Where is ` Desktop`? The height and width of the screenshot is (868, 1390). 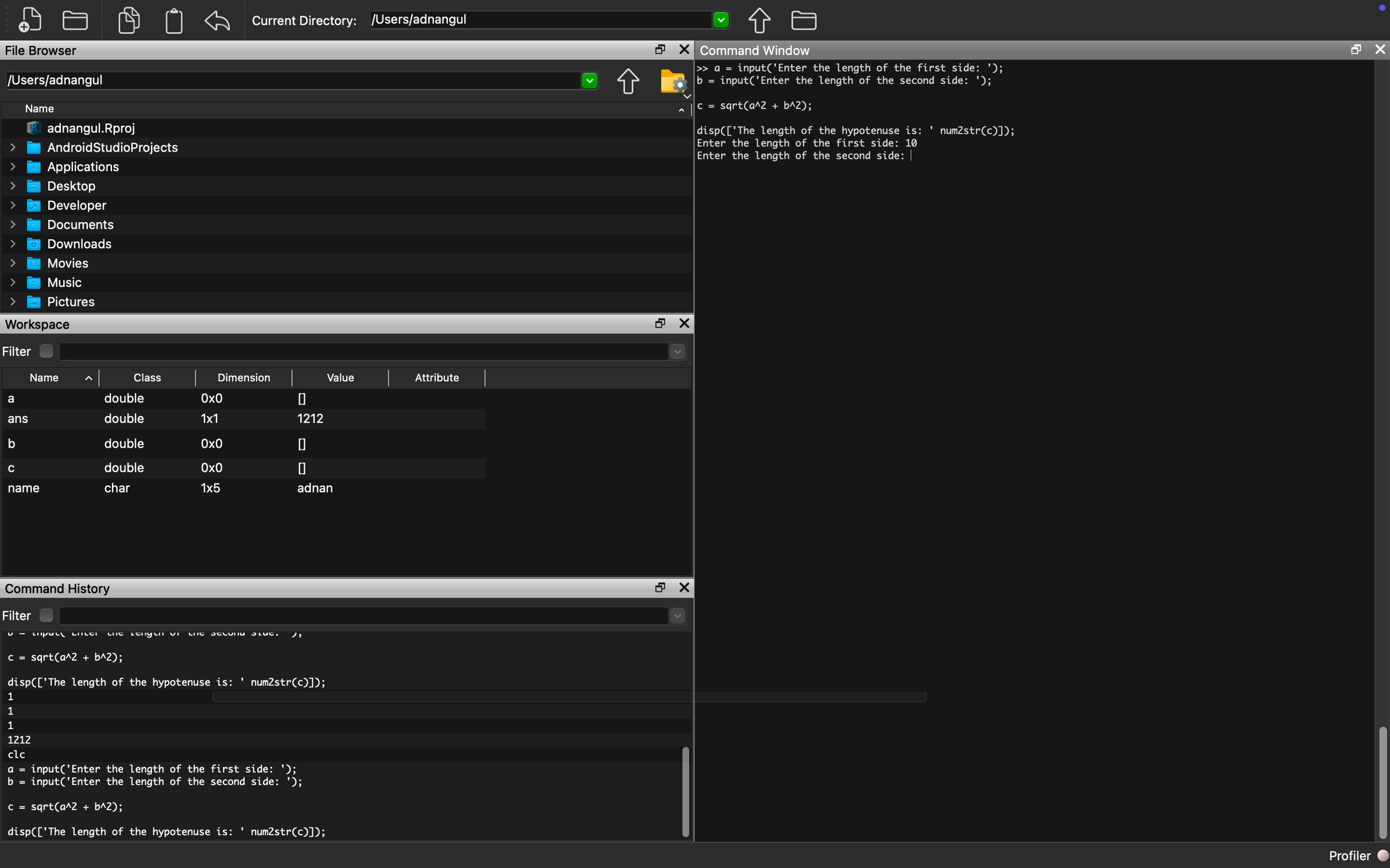  Desktop is located at coordinates (60, 185).